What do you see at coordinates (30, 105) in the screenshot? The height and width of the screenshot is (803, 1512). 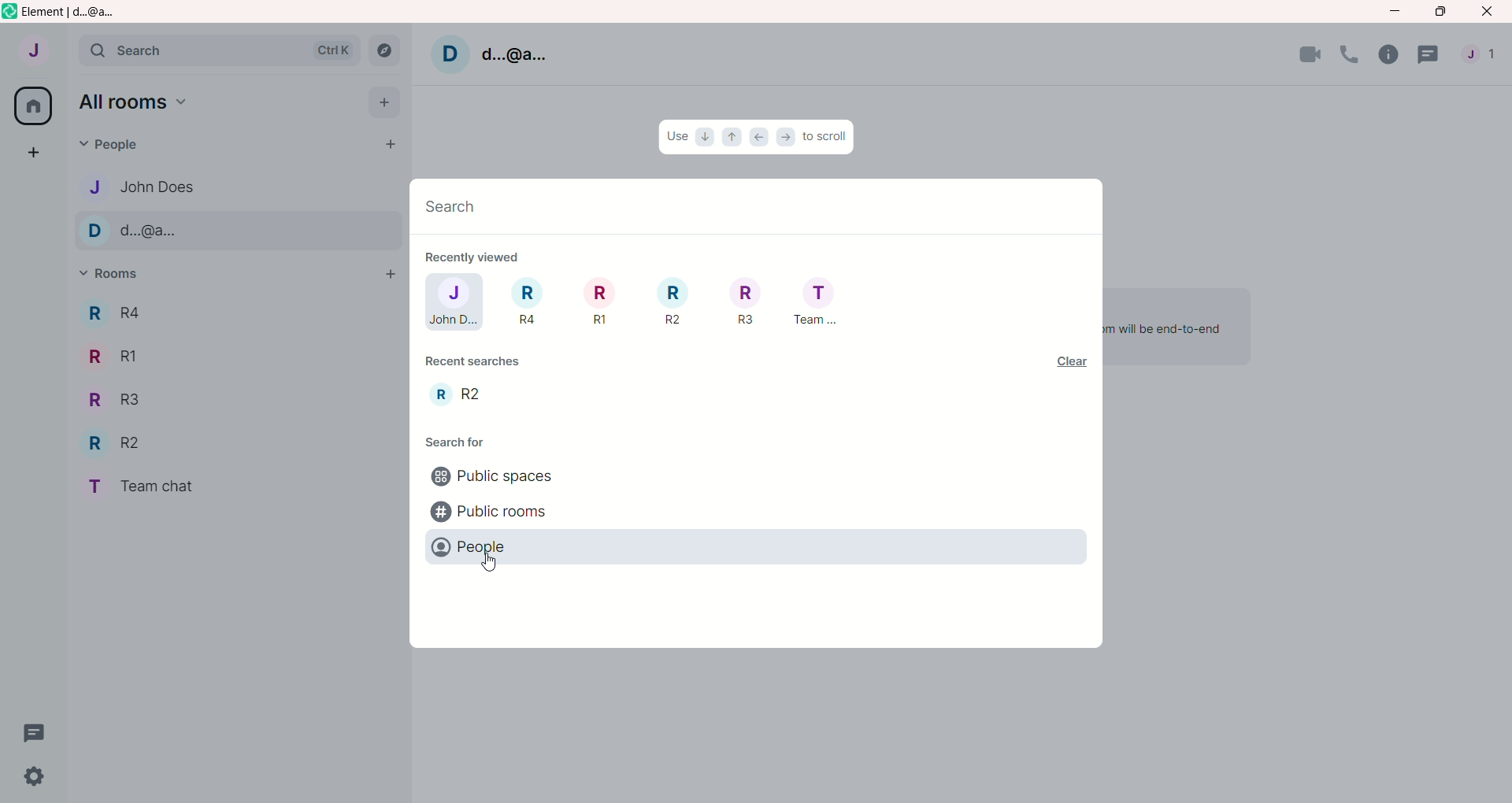 I see `all rooms` at bounding box center [30, 105].